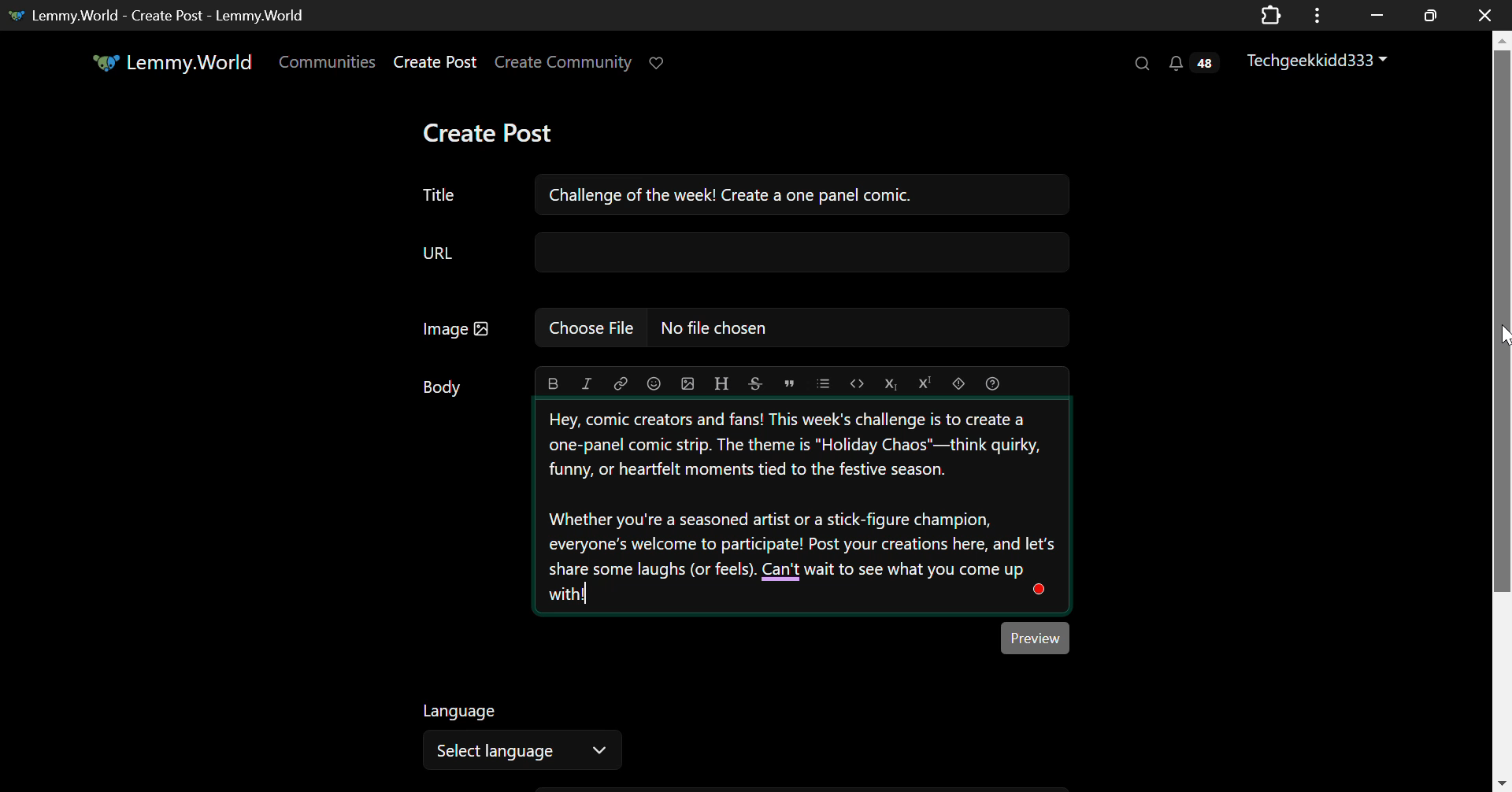 The image size is (1512, 792). What do you see at coordinates (800, 507) in the screenshot?
I see `Hey, comic creators and fans! This week's challenge is to create a one-panel comic strip. The theme is "Holiday Chaos"—think quirky, funny, or heartfelt moments tied to the festive season. Whether you're a seasoned artist or a stick-figure champion, everyone's welcome to participate! Post your creations here, and let's share some laughs (or feels). Can't wait to see what you come up with.` at bounding box center [800, 507].